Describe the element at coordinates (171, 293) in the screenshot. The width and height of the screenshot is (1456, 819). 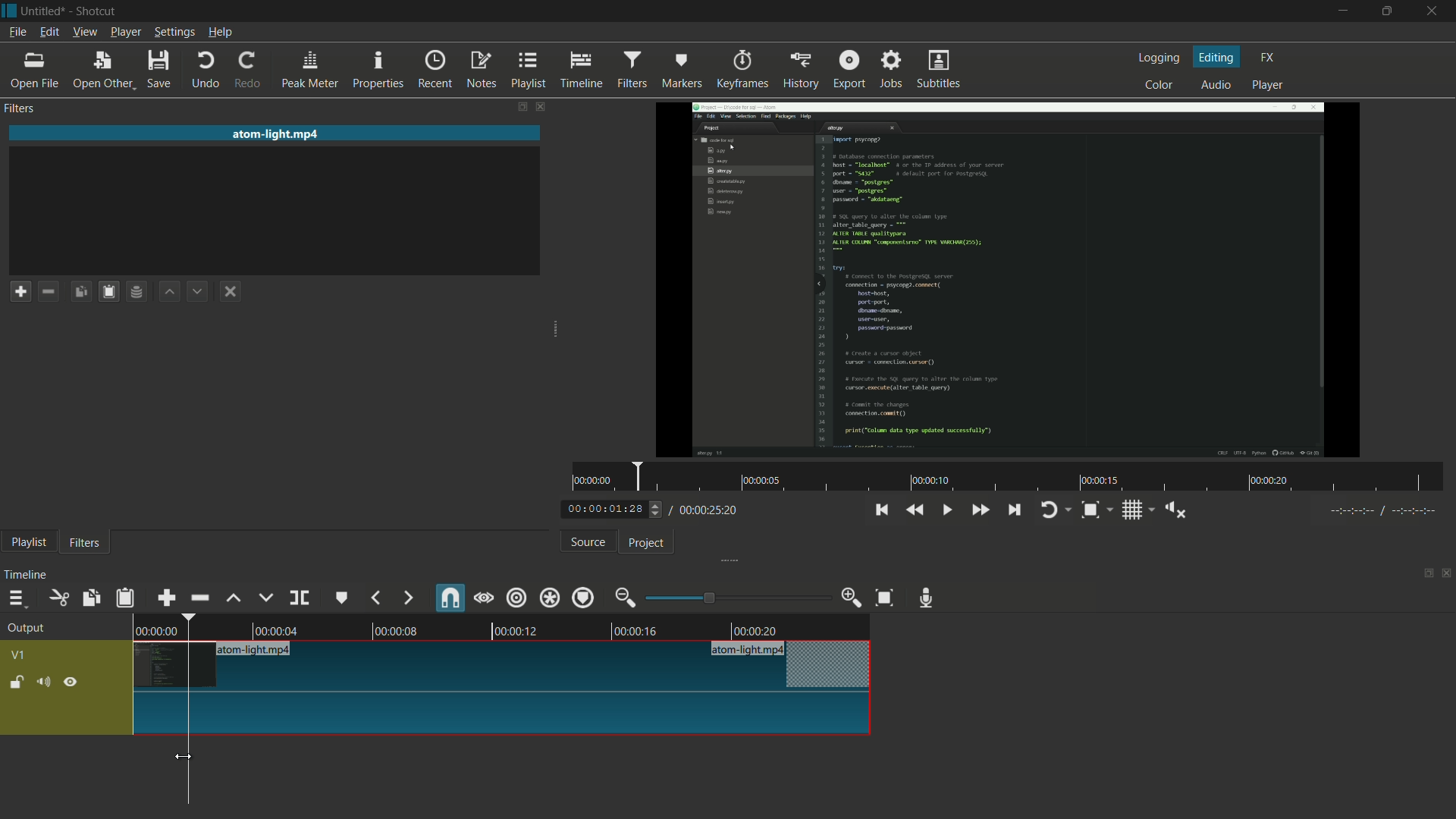
I see `move filter up` at that location.